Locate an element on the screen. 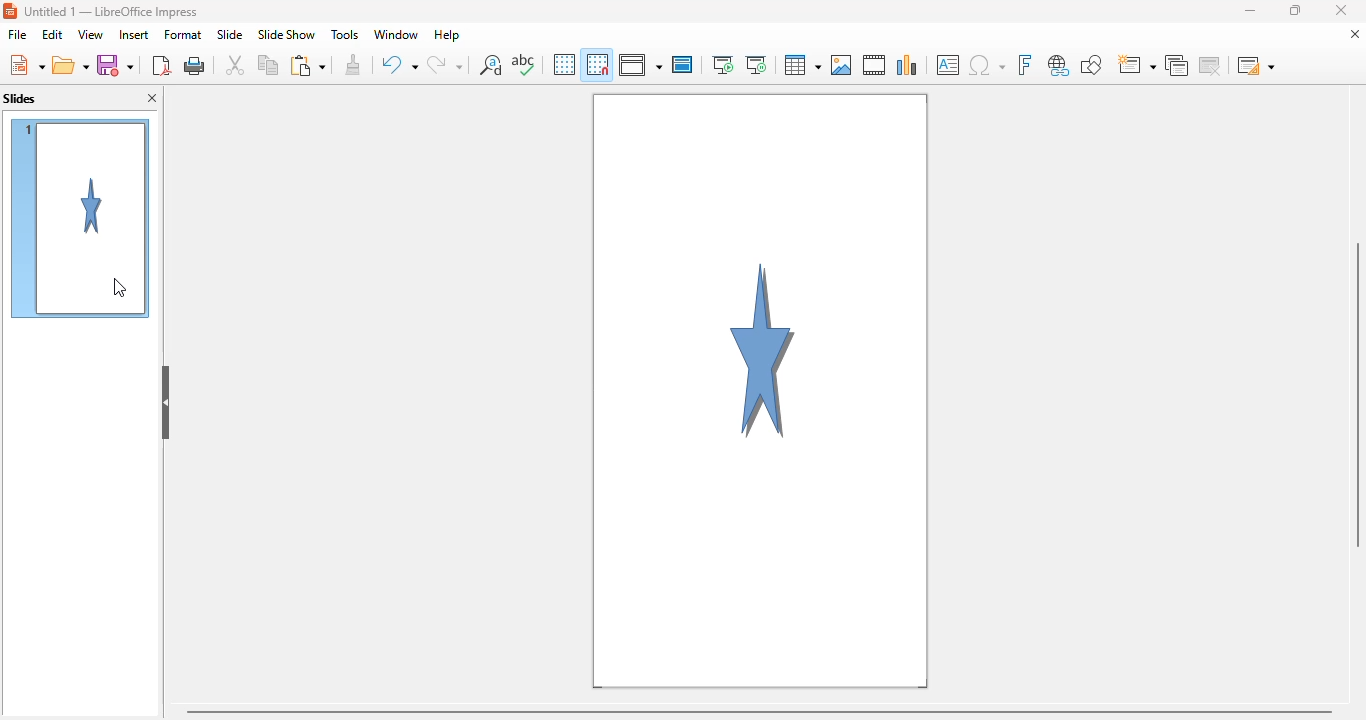 The width and height of the screenshot is (1366, 720). insert chart is located at coordinates (908, 65).